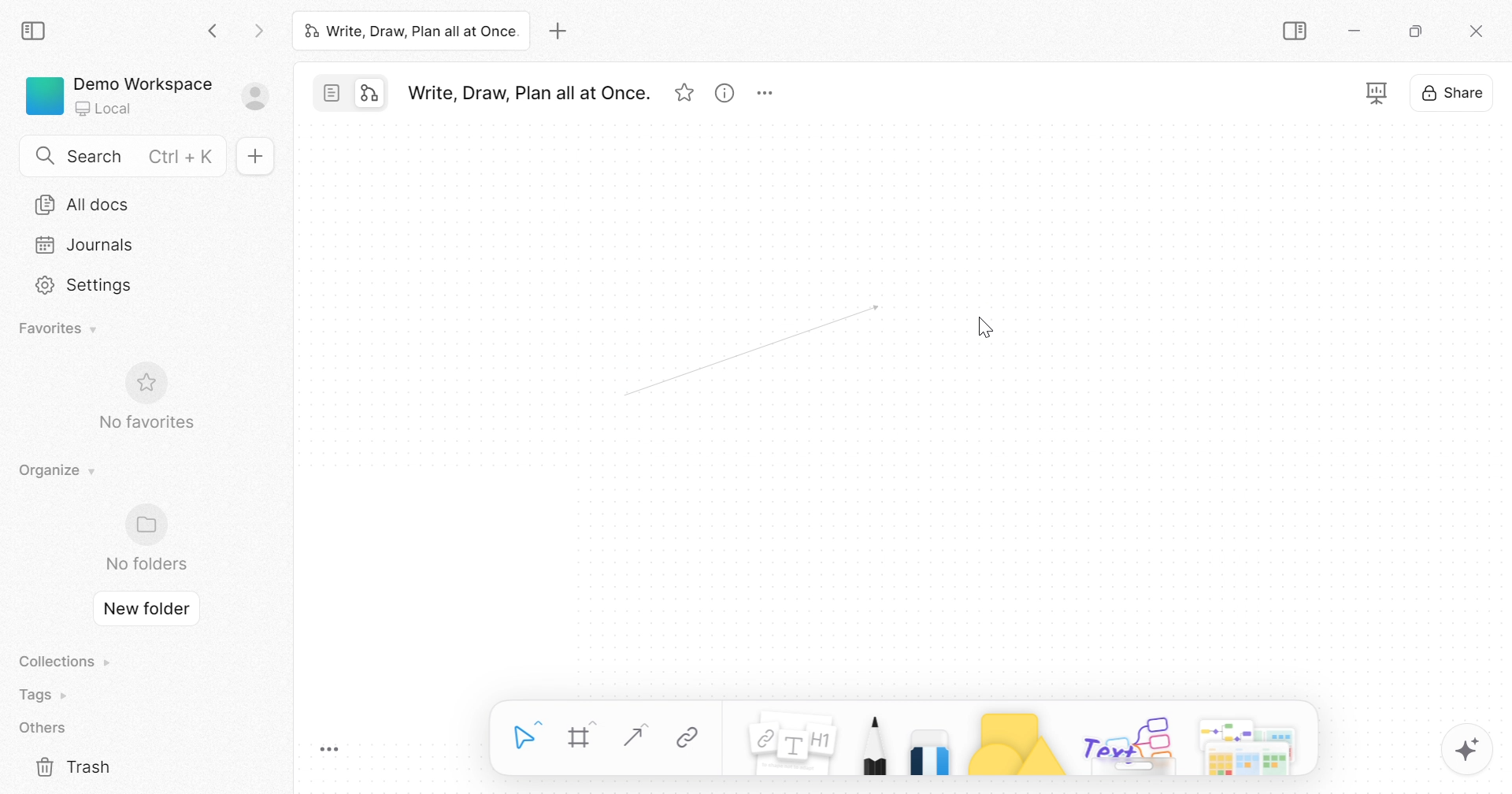 The image size is (1512, 794). What do you see at coordinates (1453, 96) in the screenshot?
I see `Share` at bounding box center [1453, 96].